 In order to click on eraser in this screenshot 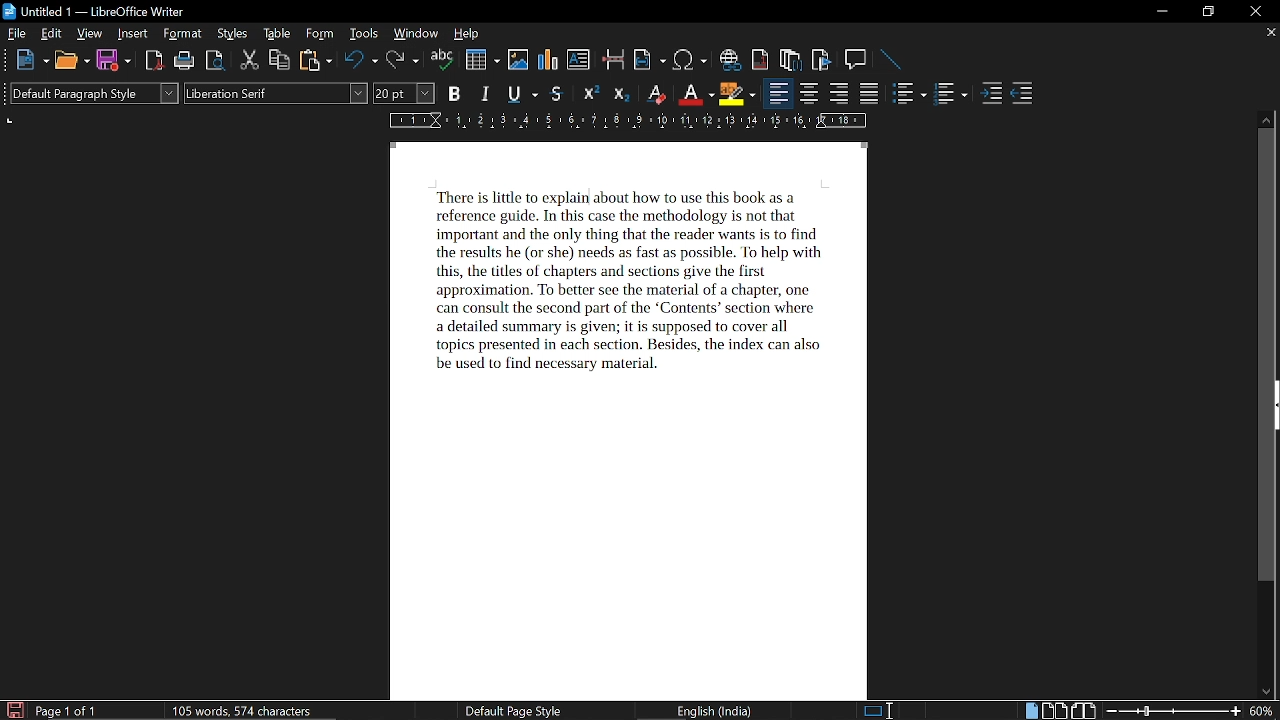, I will do `click(656, 96)`.